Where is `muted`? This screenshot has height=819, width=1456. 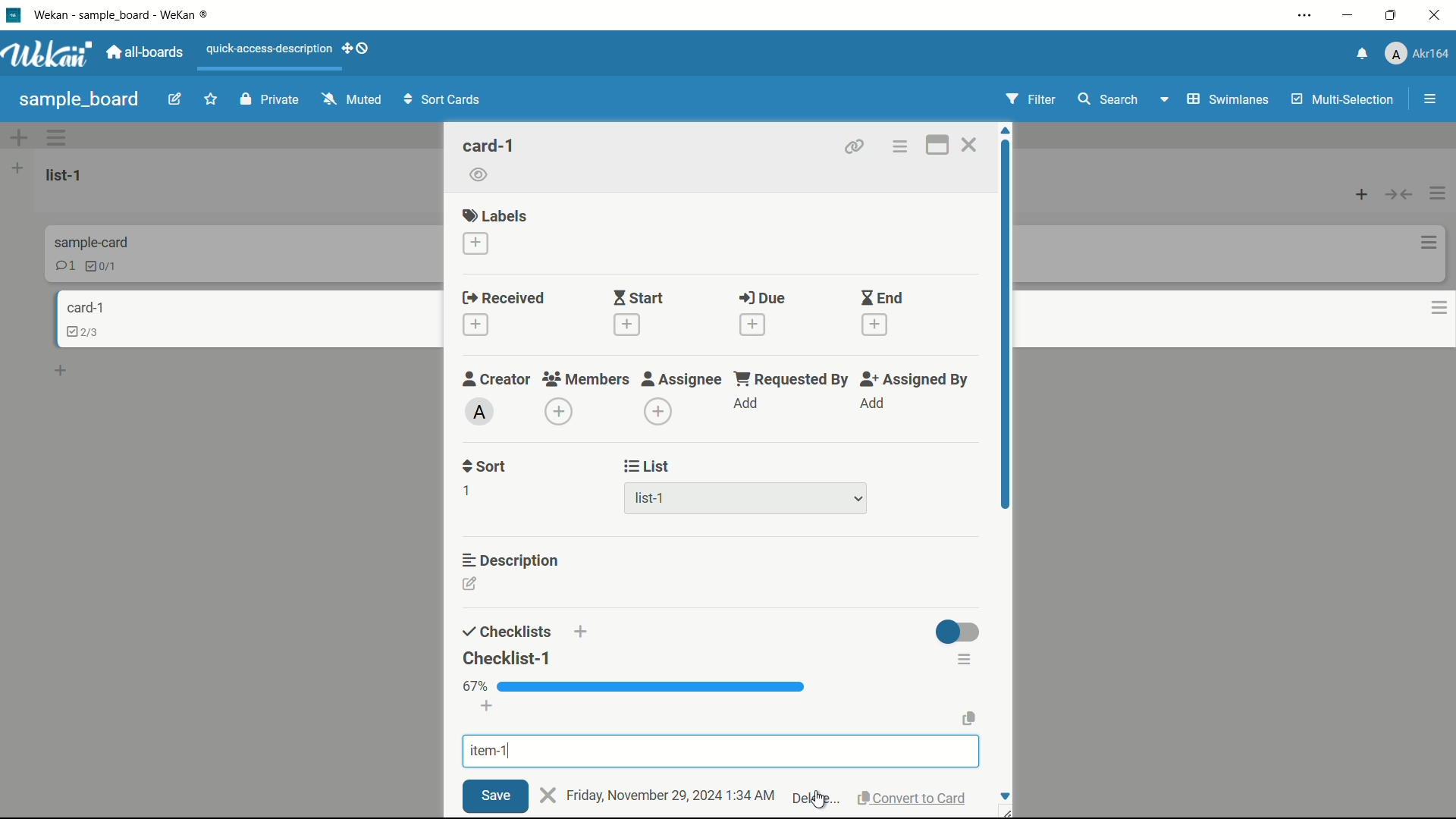
muted is located at coordinates (353, 99).